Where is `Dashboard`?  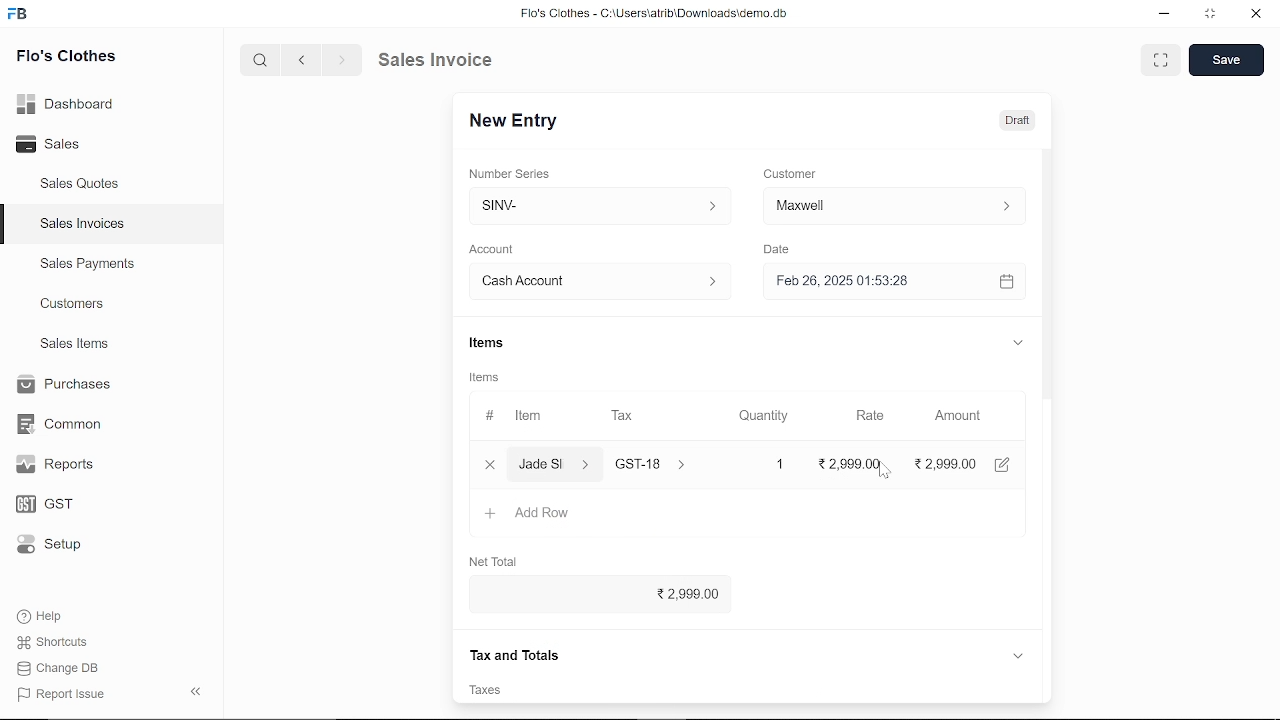
Dashboard is located at coordinates (70, 103).